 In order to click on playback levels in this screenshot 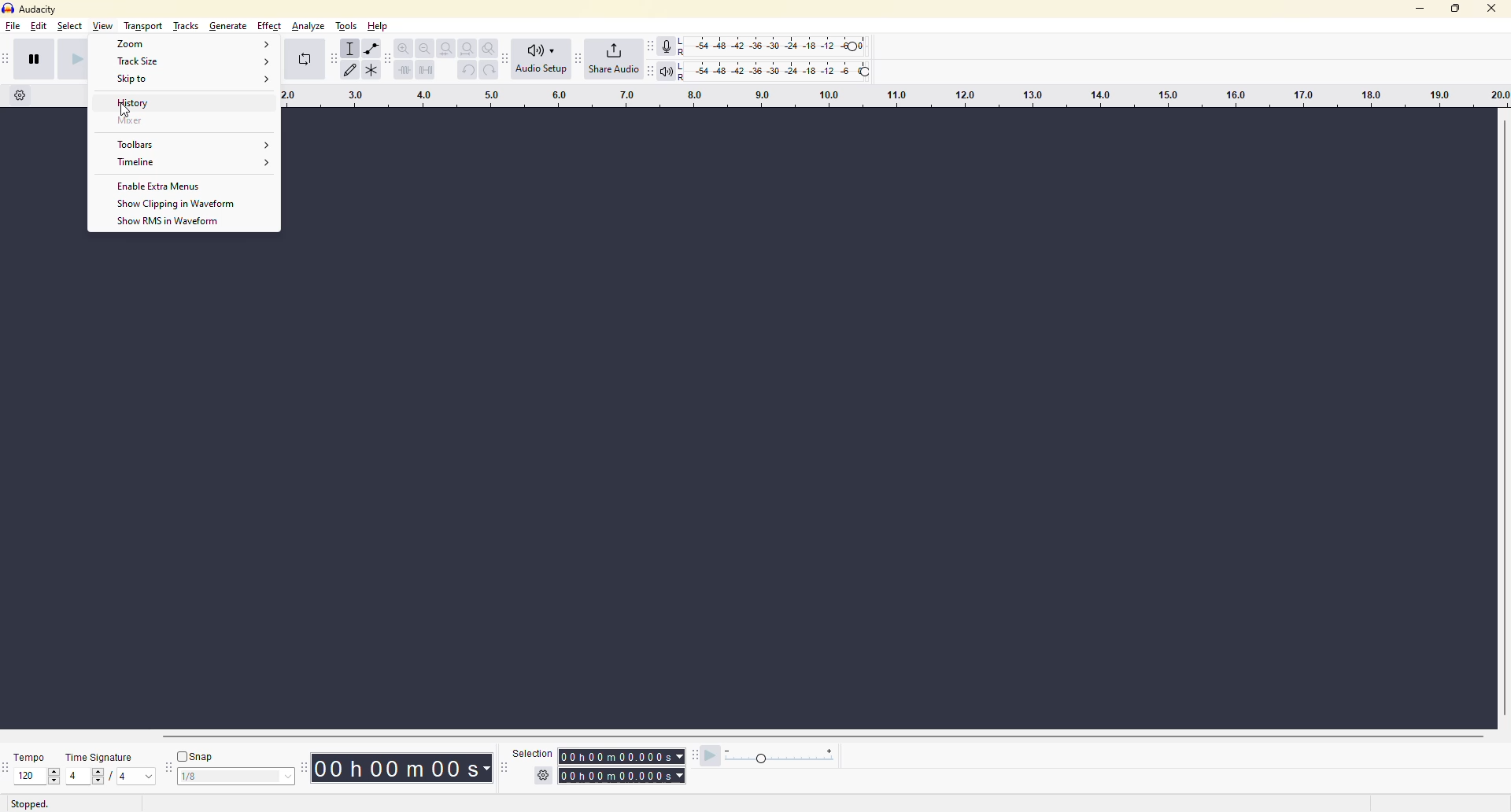, I will do `click(793, 69)`.